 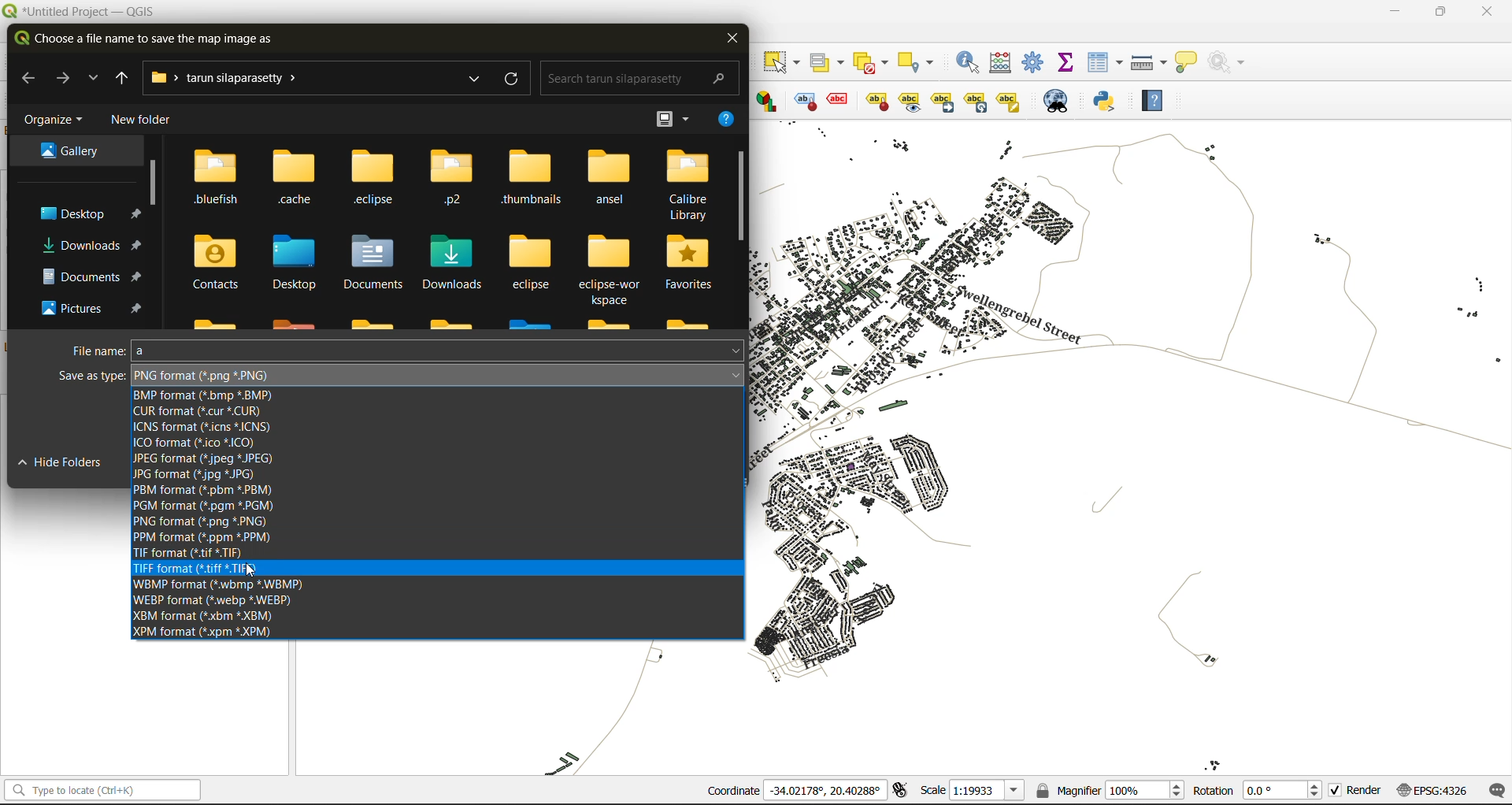 I want to click on hide folders, so click(x=72, y=465).